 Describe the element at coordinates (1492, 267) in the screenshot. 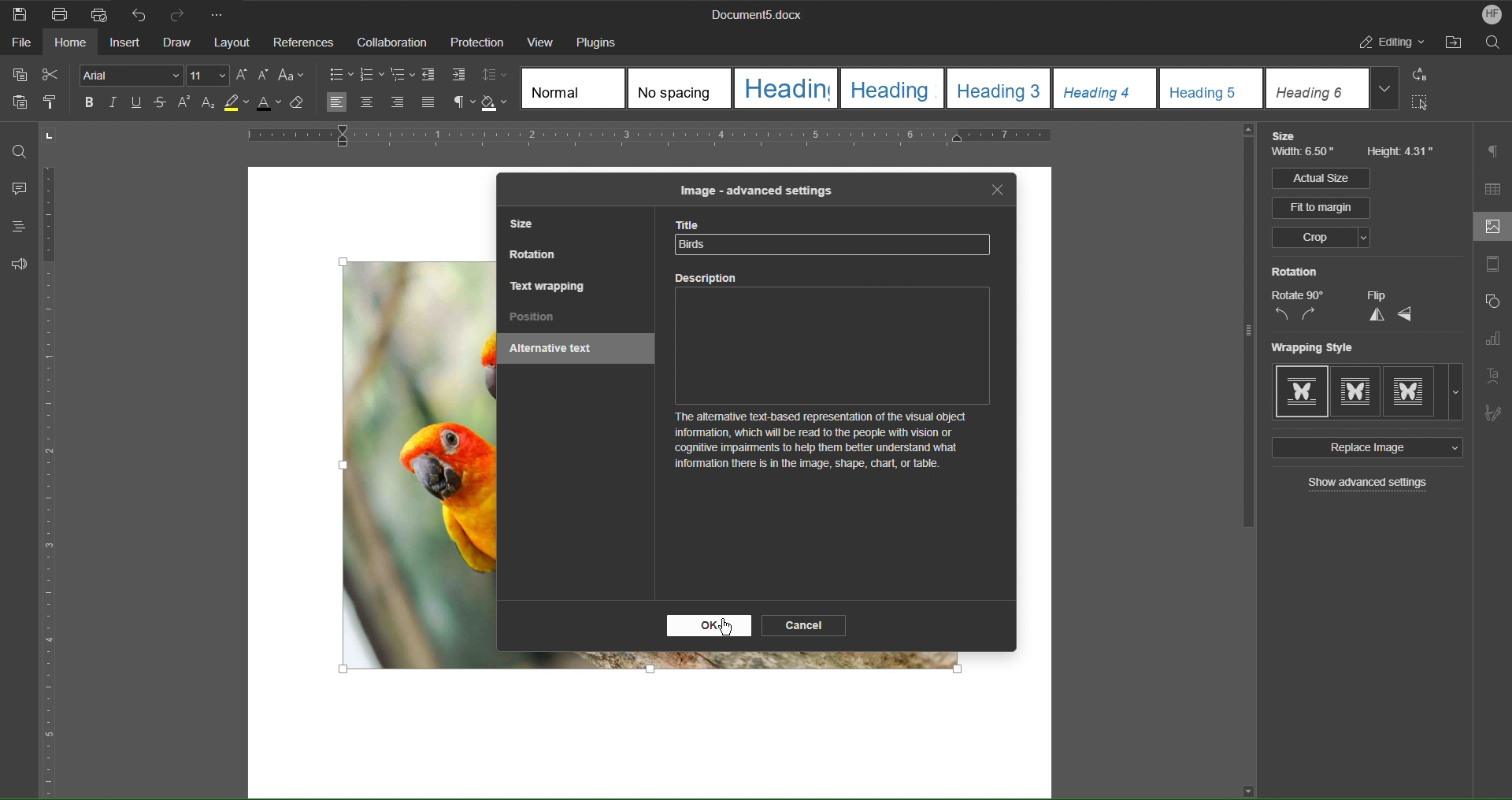

I see `Header/Footer` at that location.